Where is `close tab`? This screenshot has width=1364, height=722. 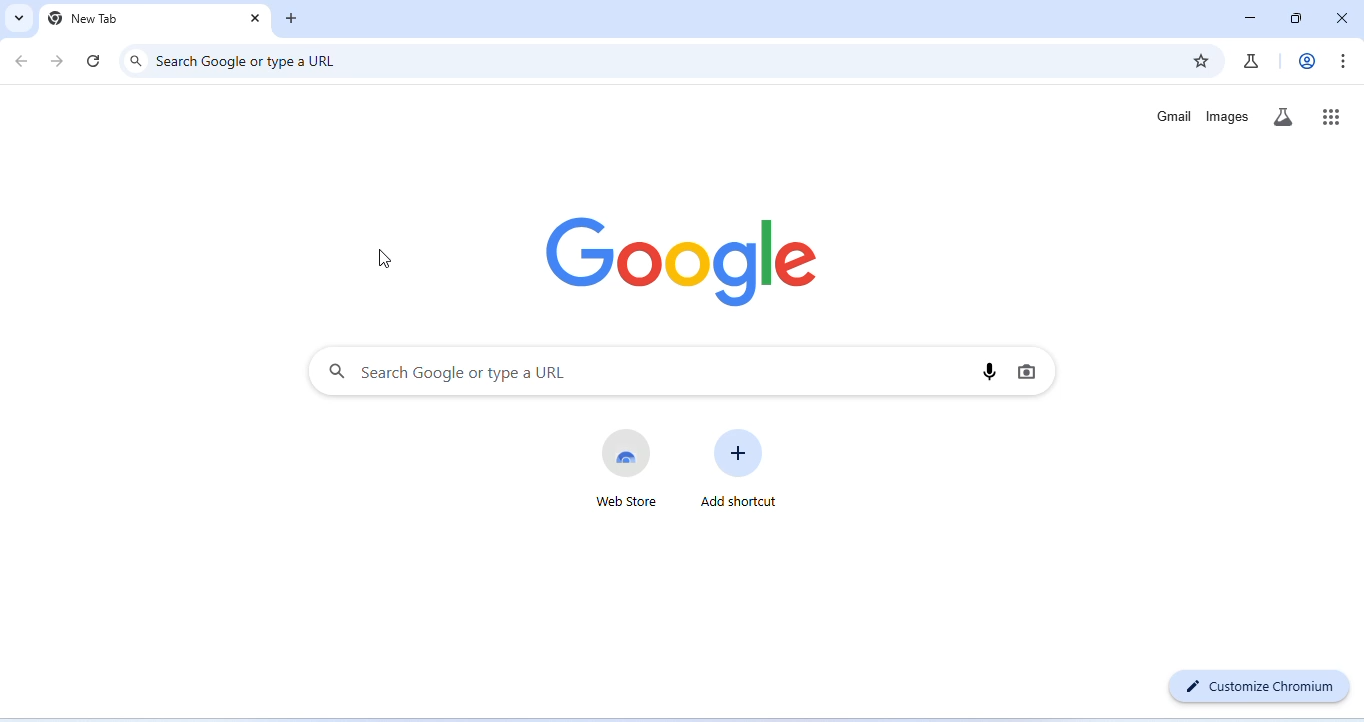
close tab is located at coordinates (256, 19).